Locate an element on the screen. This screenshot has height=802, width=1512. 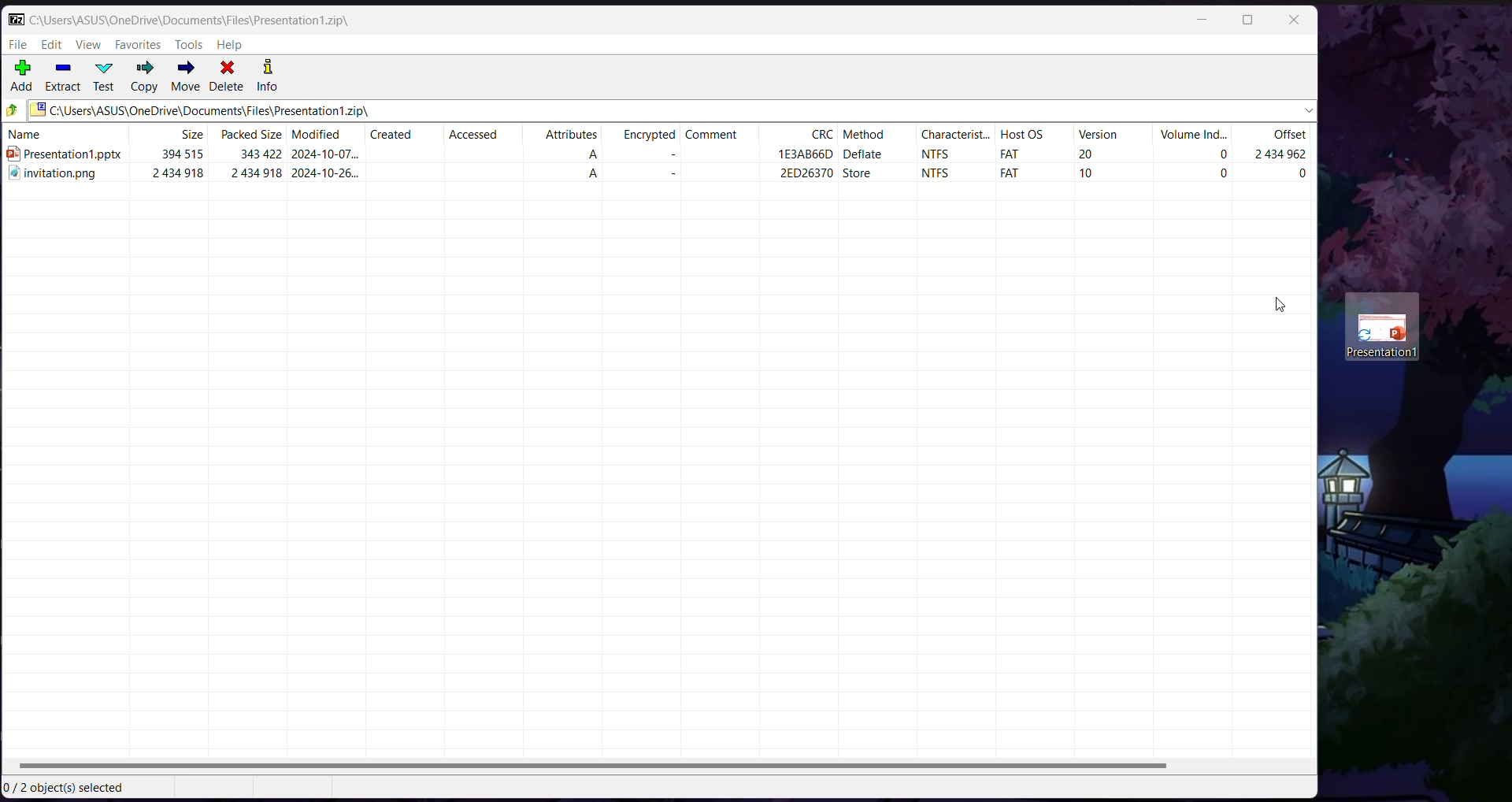
10 is located at coordinates (1095, 176).